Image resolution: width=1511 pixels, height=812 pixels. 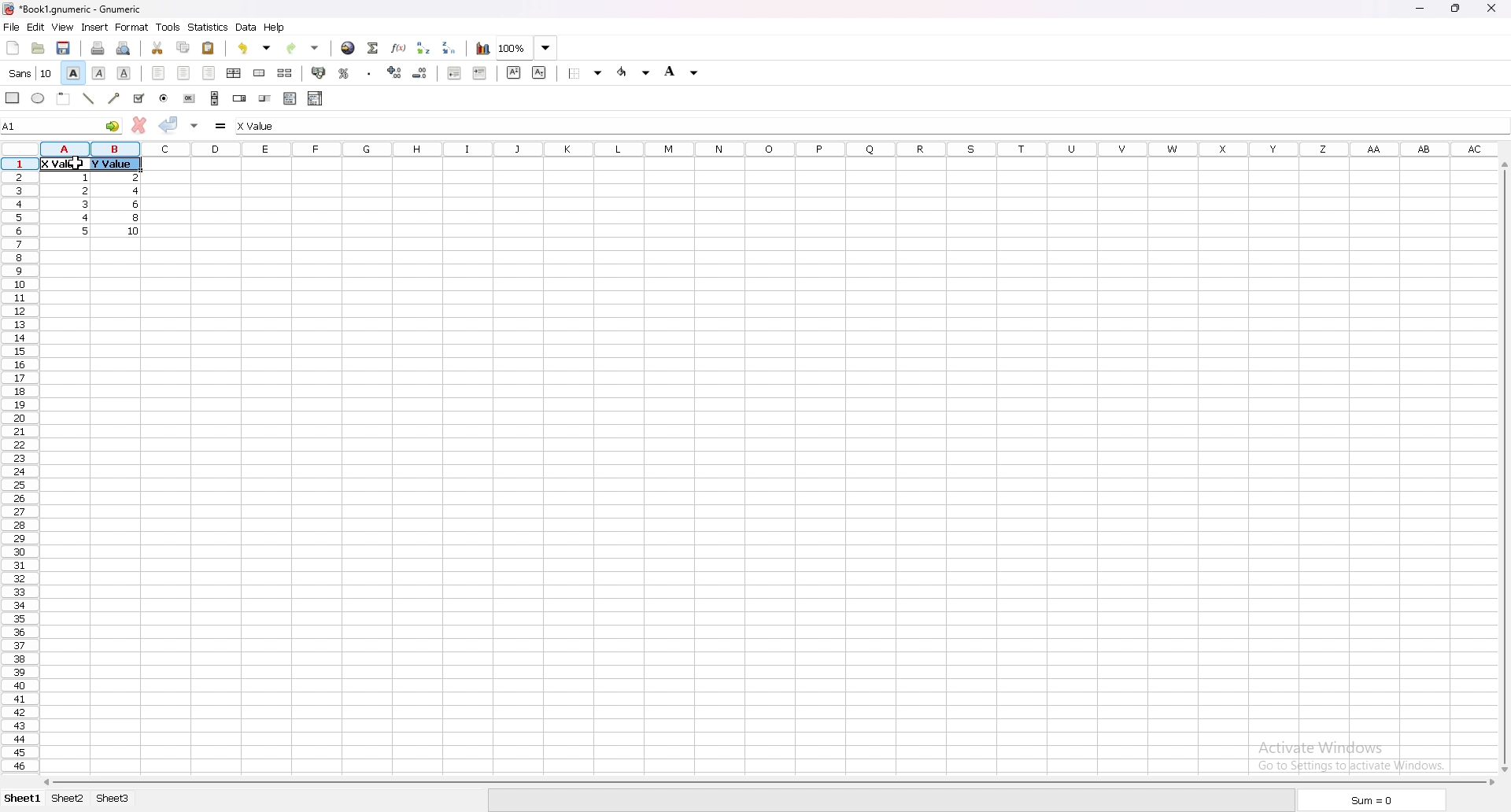 I want to click on thousands separator, so click(x=370, y=72).